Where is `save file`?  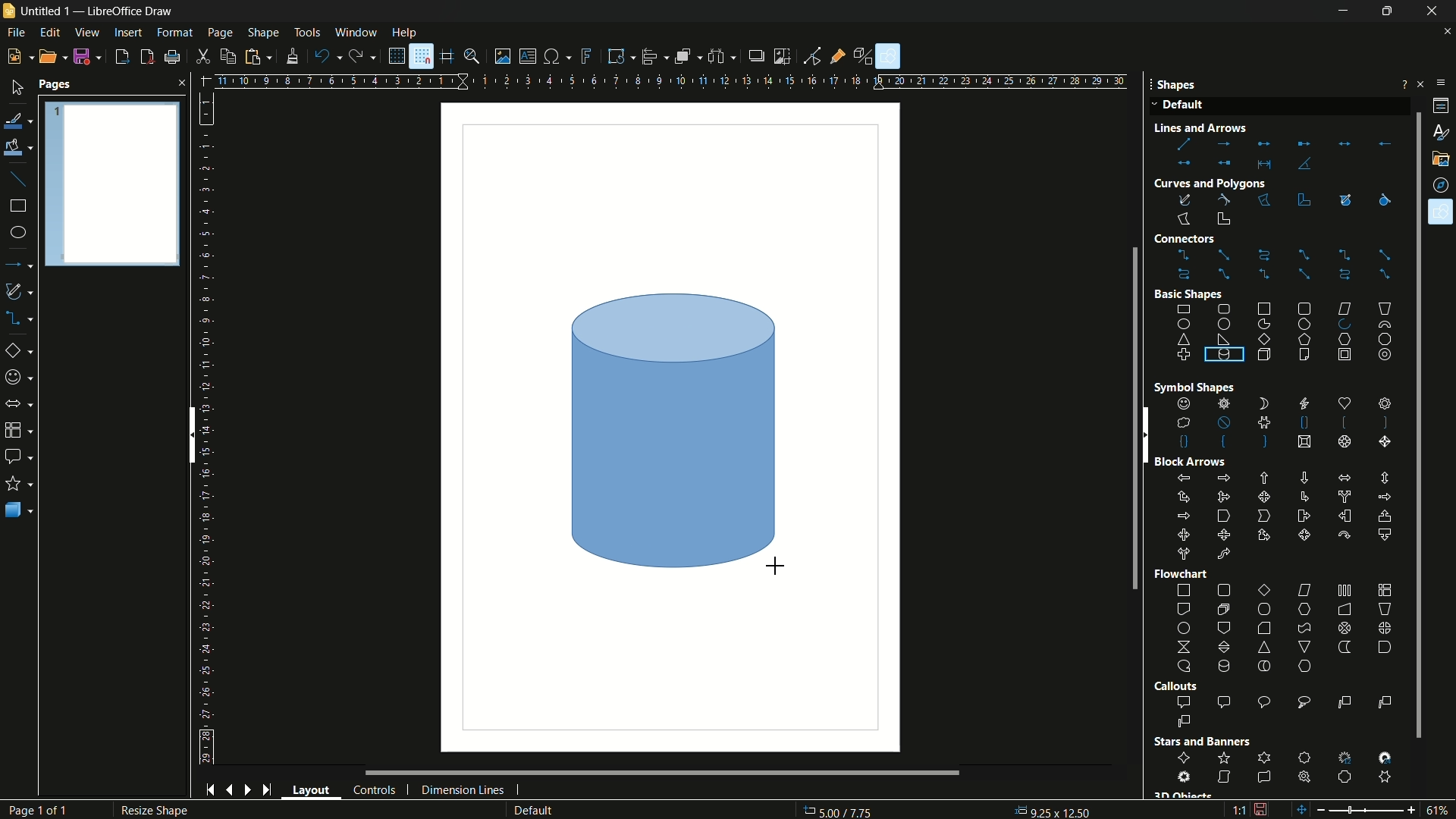 save file is located at coordinates (88, 56).